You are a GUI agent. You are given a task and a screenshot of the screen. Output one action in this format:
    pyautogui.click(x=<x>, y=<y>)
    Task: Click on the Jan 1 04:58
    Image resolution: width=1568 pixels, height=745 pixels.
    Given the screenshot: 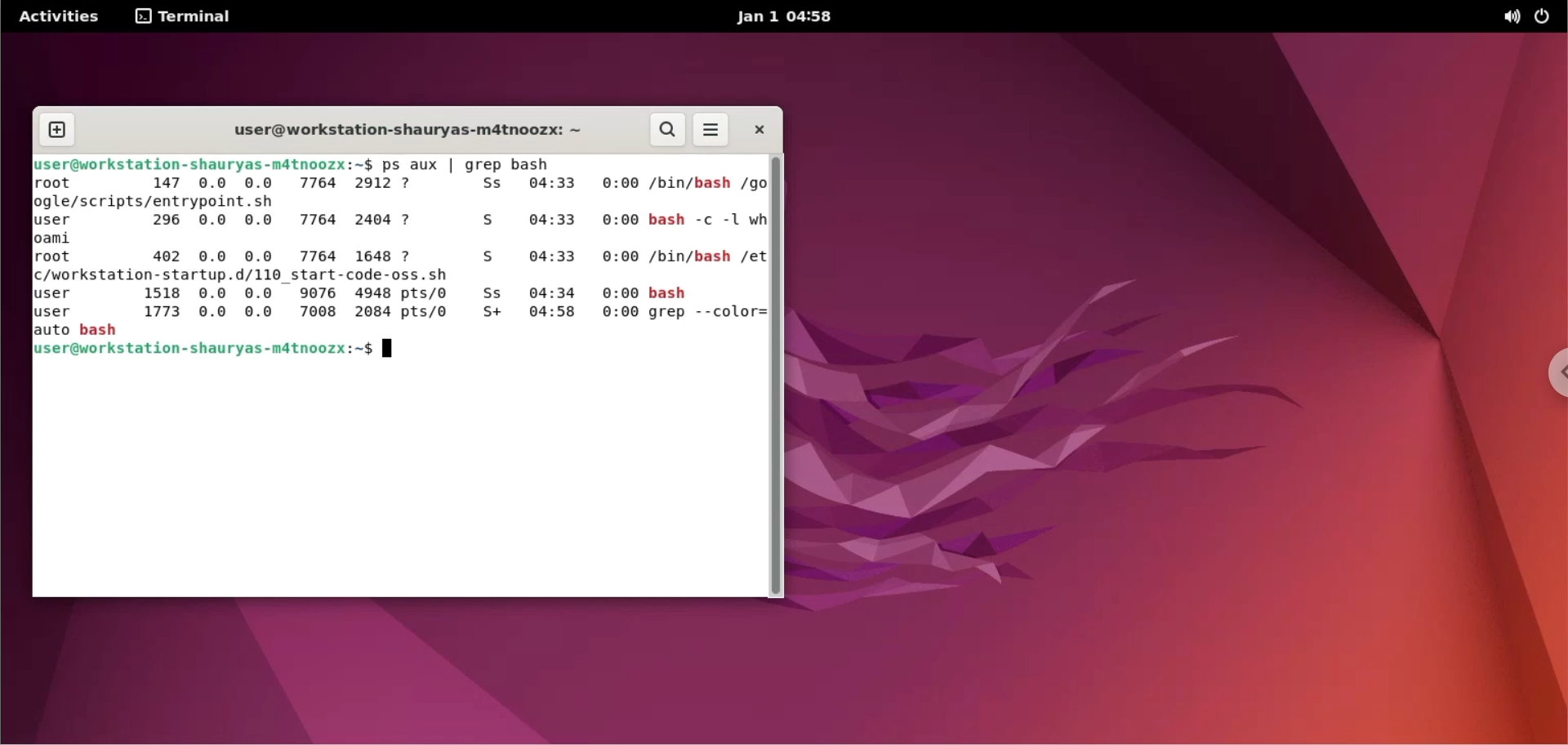 What is the action you would take?
    pyautogui.click(x=787, y=16)
    